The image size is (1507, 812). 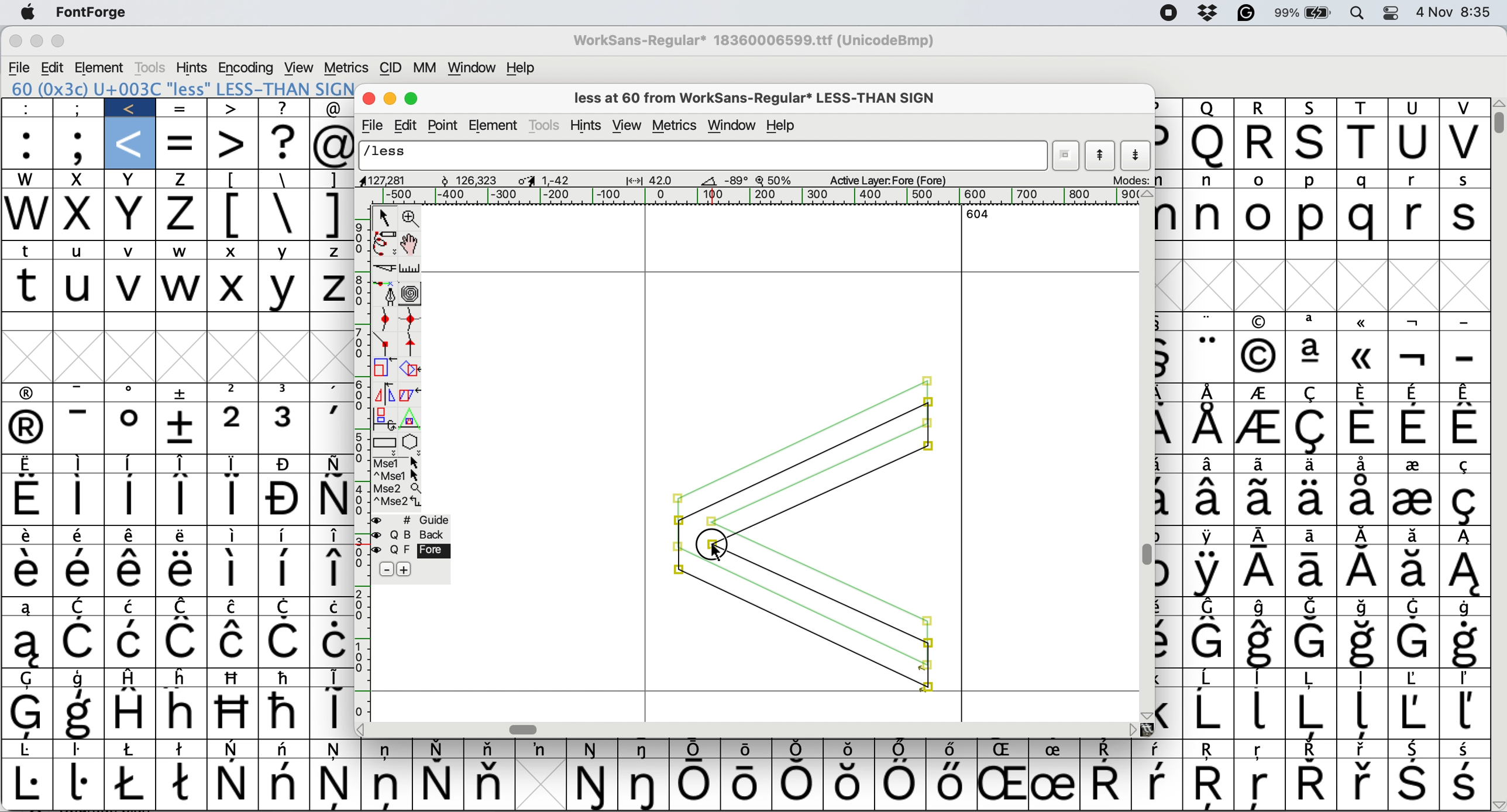 What do you see at coordinates (338, 785) in the screenshot?
I see `Symbol` at bounding box center [338, 785].